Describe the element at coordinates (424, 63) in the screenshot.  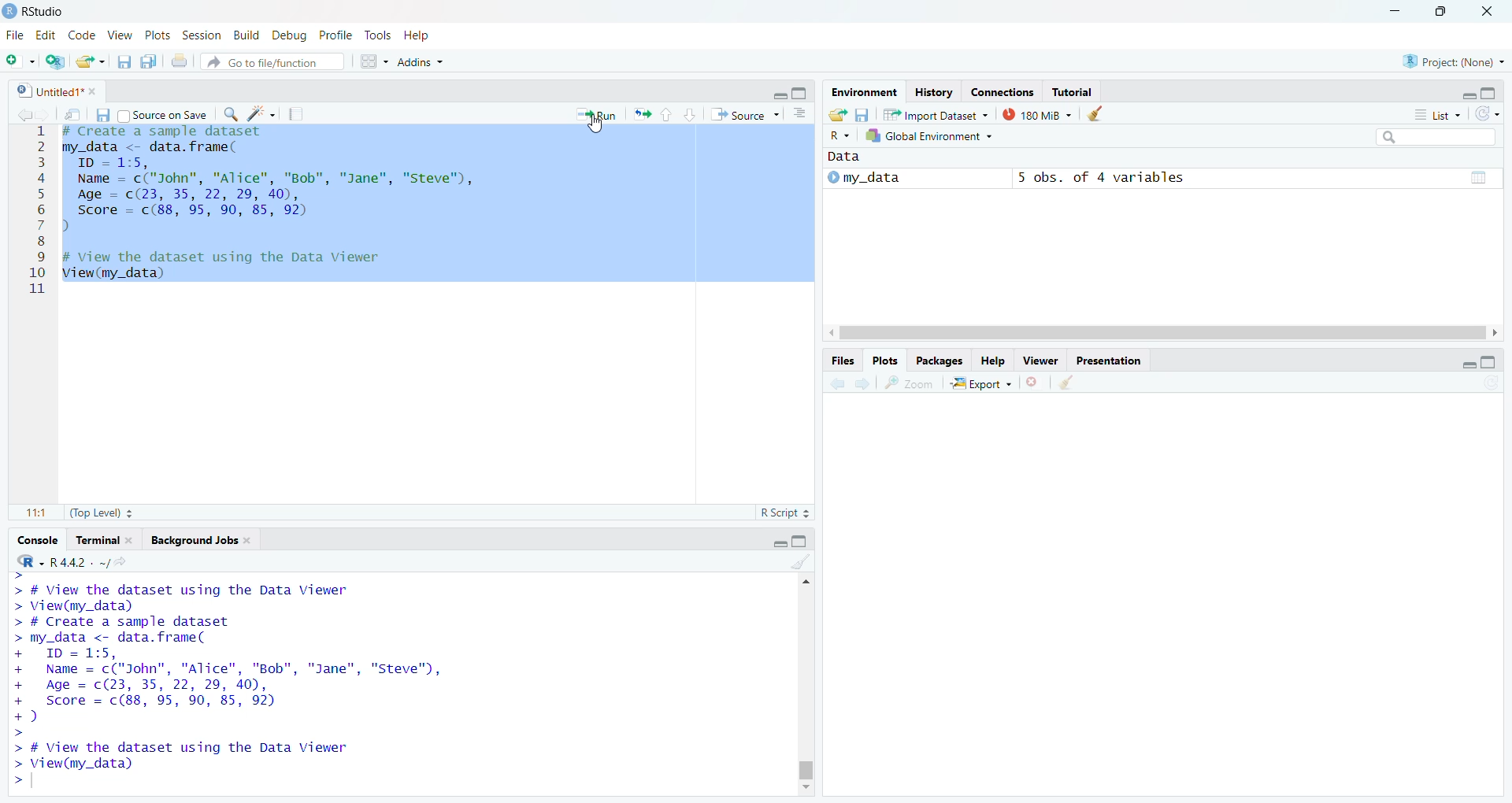
I see `Addns` at that location.